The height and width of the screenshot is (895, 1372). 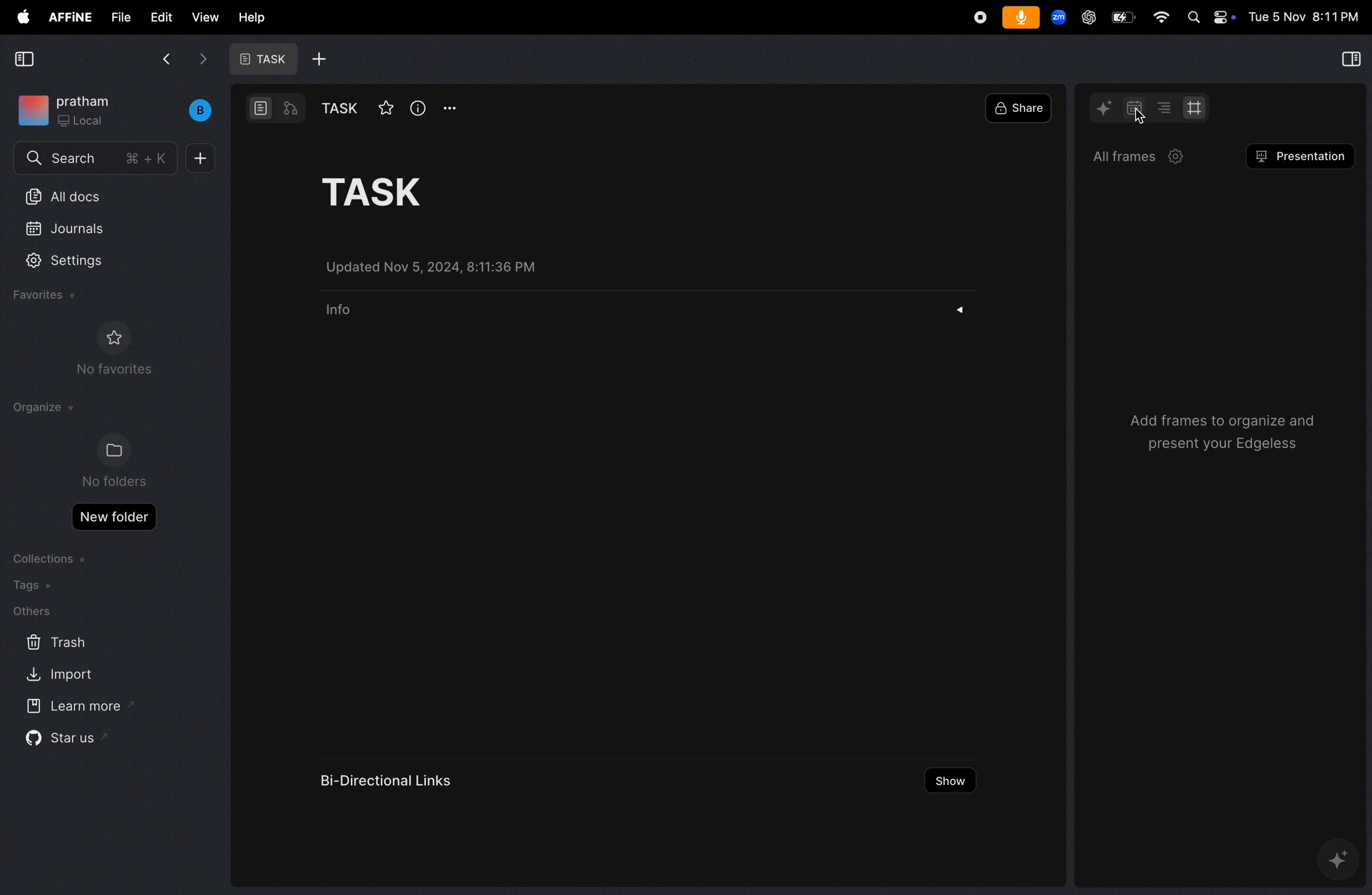 What do you see at coordinates (977, 17) in the screenshot?
I see `record` at bounding box center [977, 17].